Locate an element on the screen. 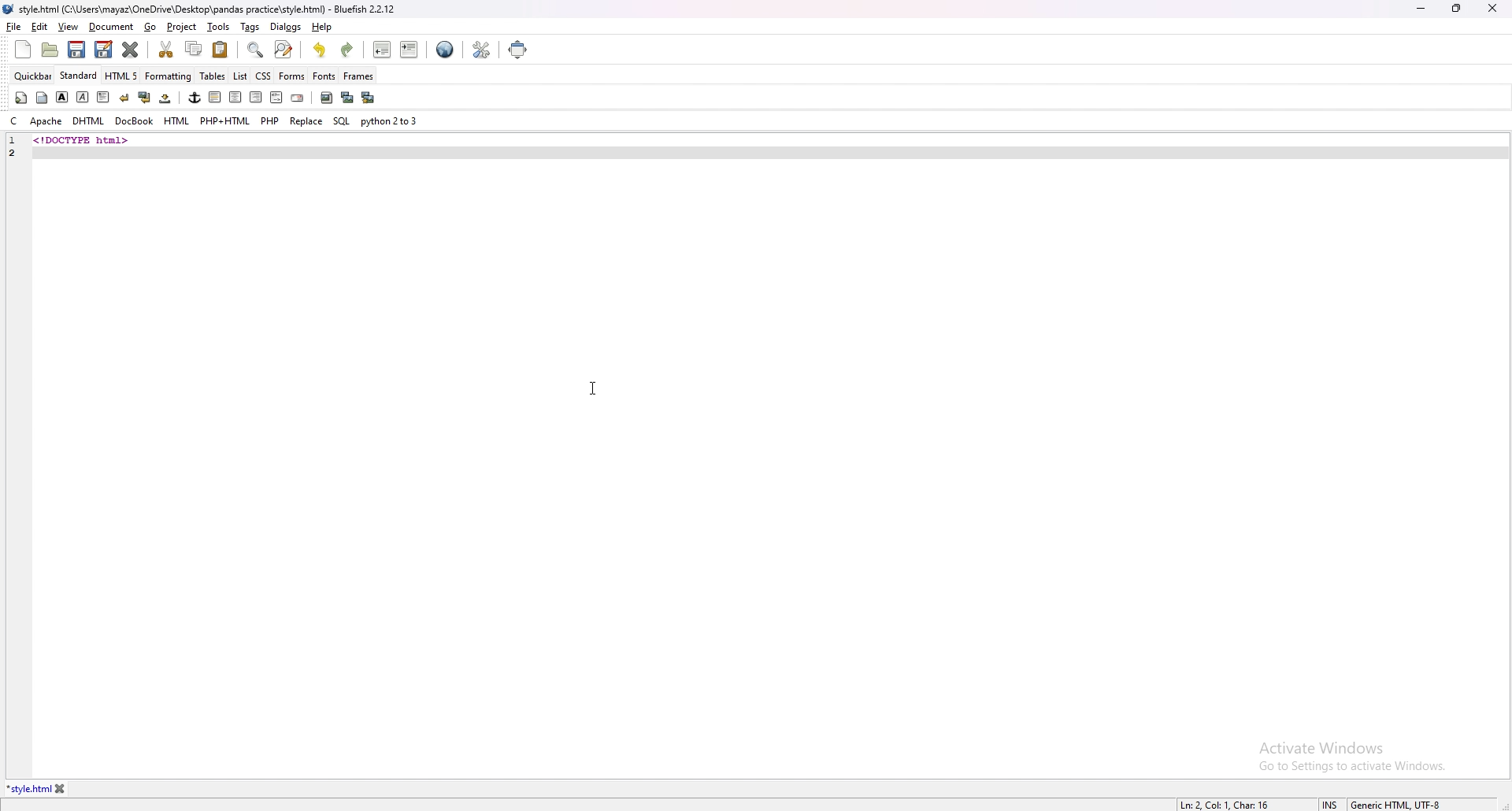 This screenshot has width=1512, height=811. css is located at coordinates (264, 75).